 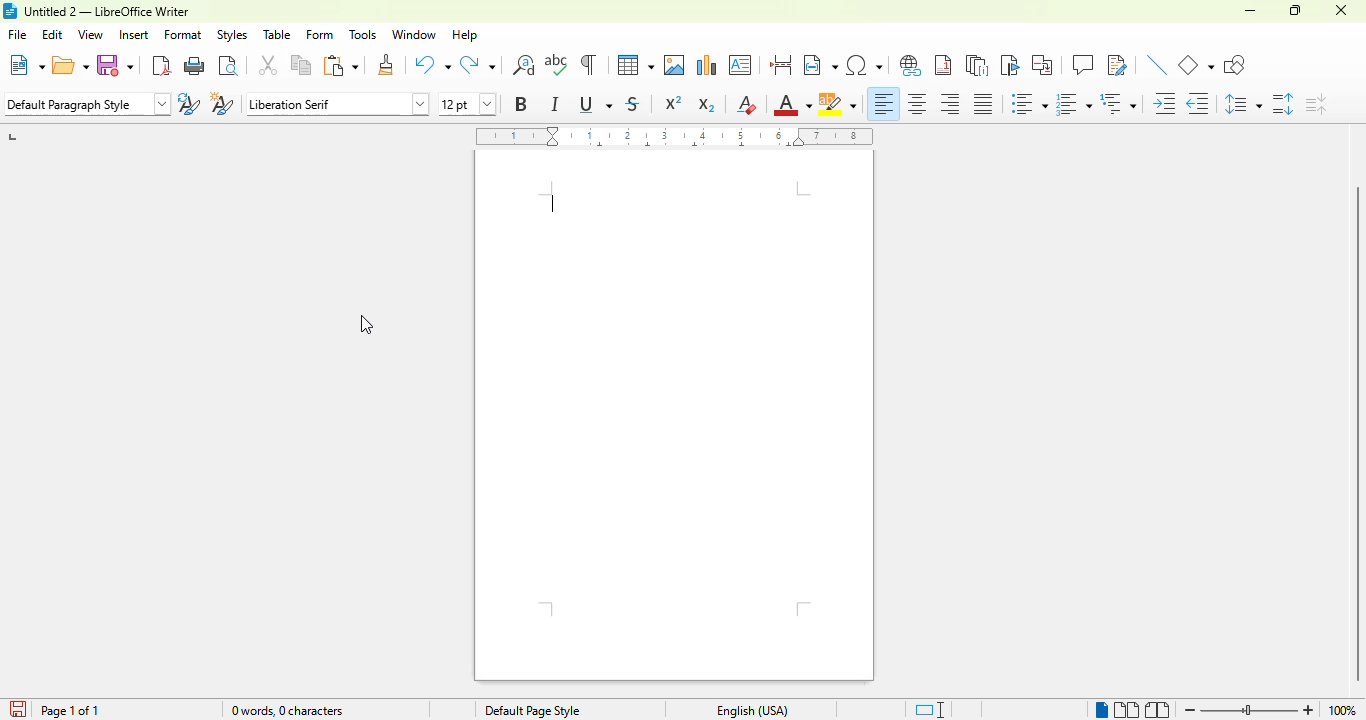 What do you see at coordinates (779, 64) in the screenshot?
I see `insert page break` at bounding box center [779, 64].